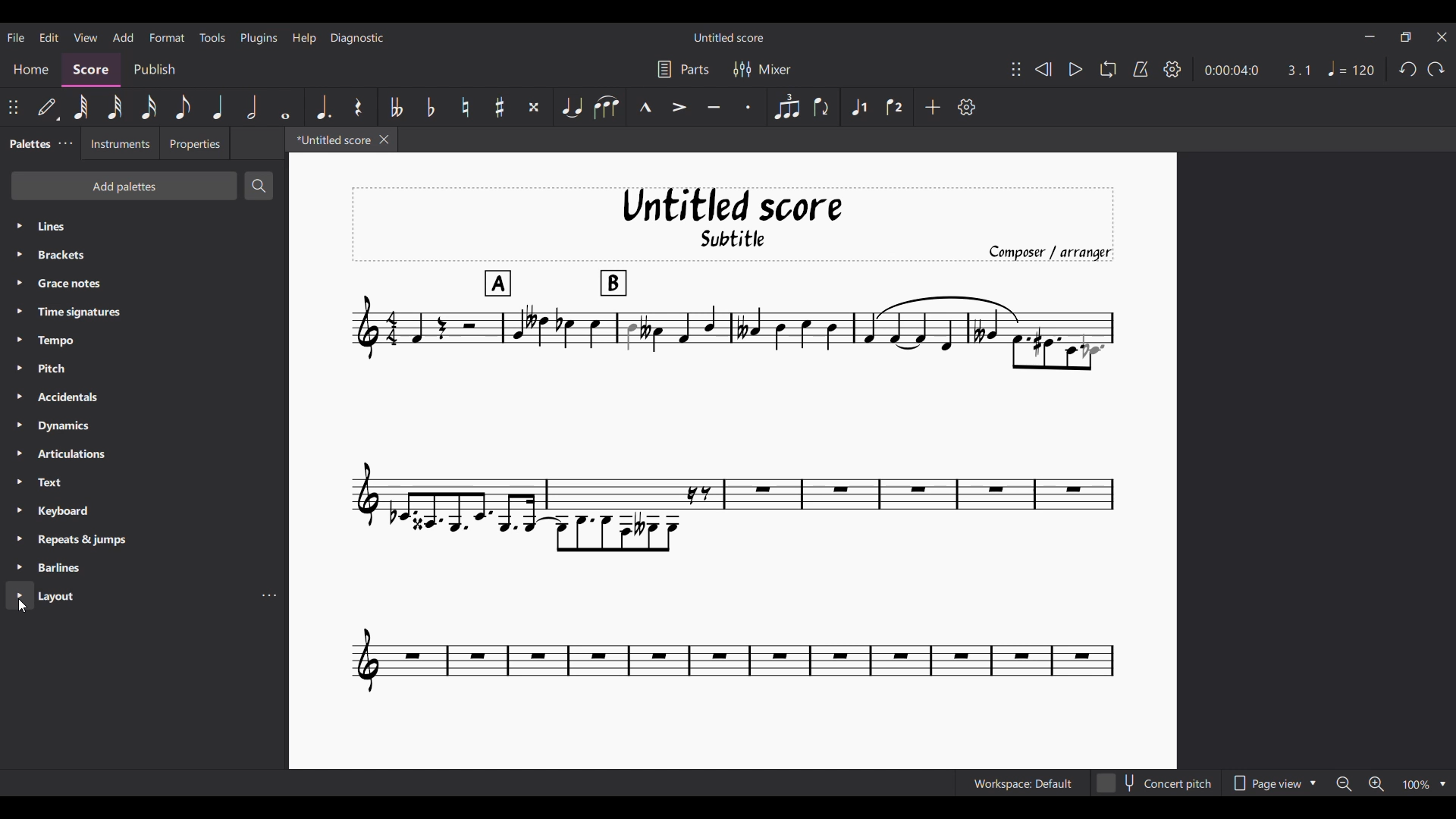  I want to click on Layout, so click(129, 595).